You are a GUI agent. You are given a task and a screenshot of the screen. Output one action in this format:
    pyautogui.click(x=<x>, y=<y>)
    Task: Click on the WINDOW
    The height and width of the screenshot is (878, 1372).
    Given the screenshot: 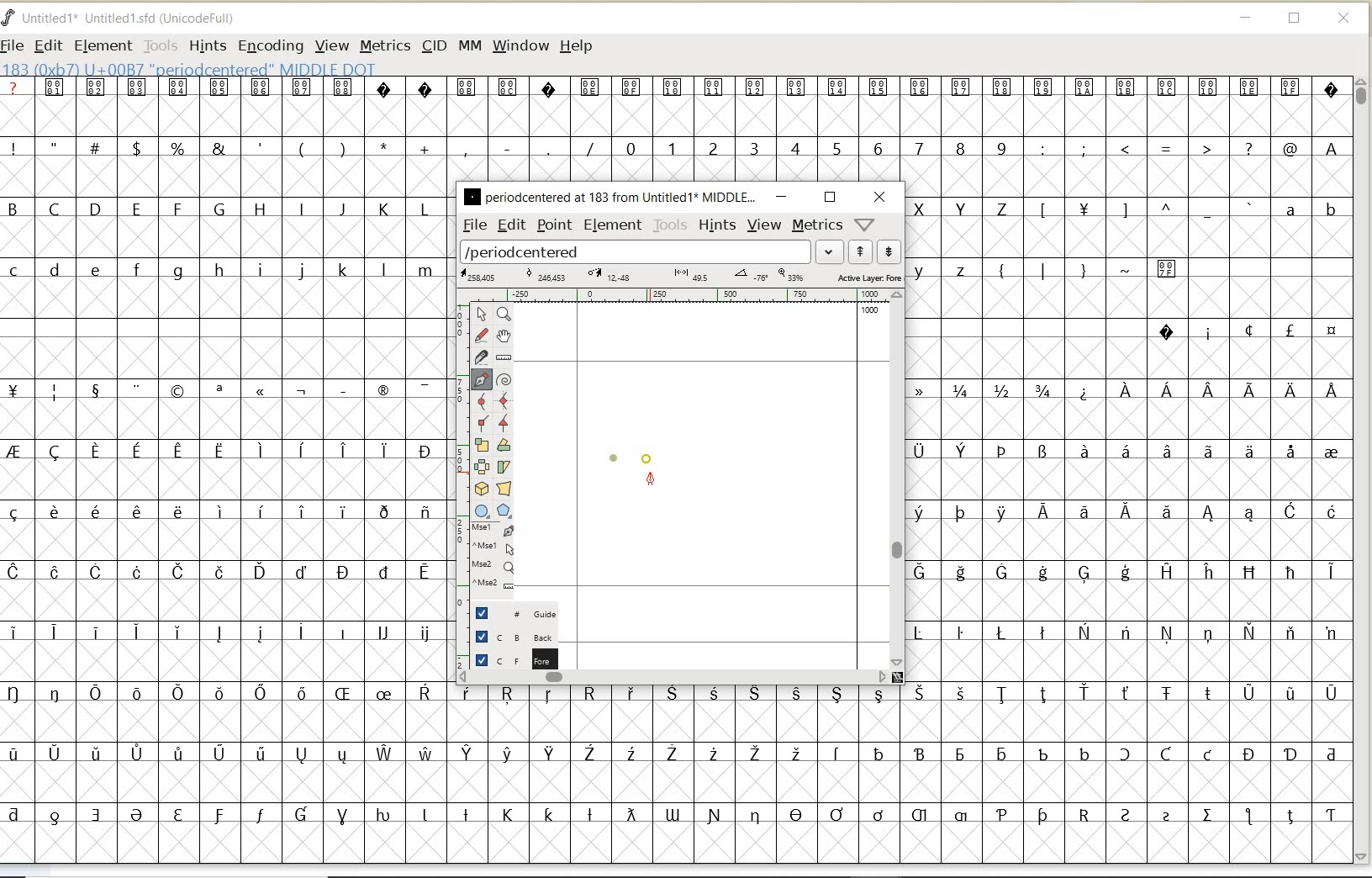 What is the action you would take?
    pyautogui.click(x=520, y=45)
    